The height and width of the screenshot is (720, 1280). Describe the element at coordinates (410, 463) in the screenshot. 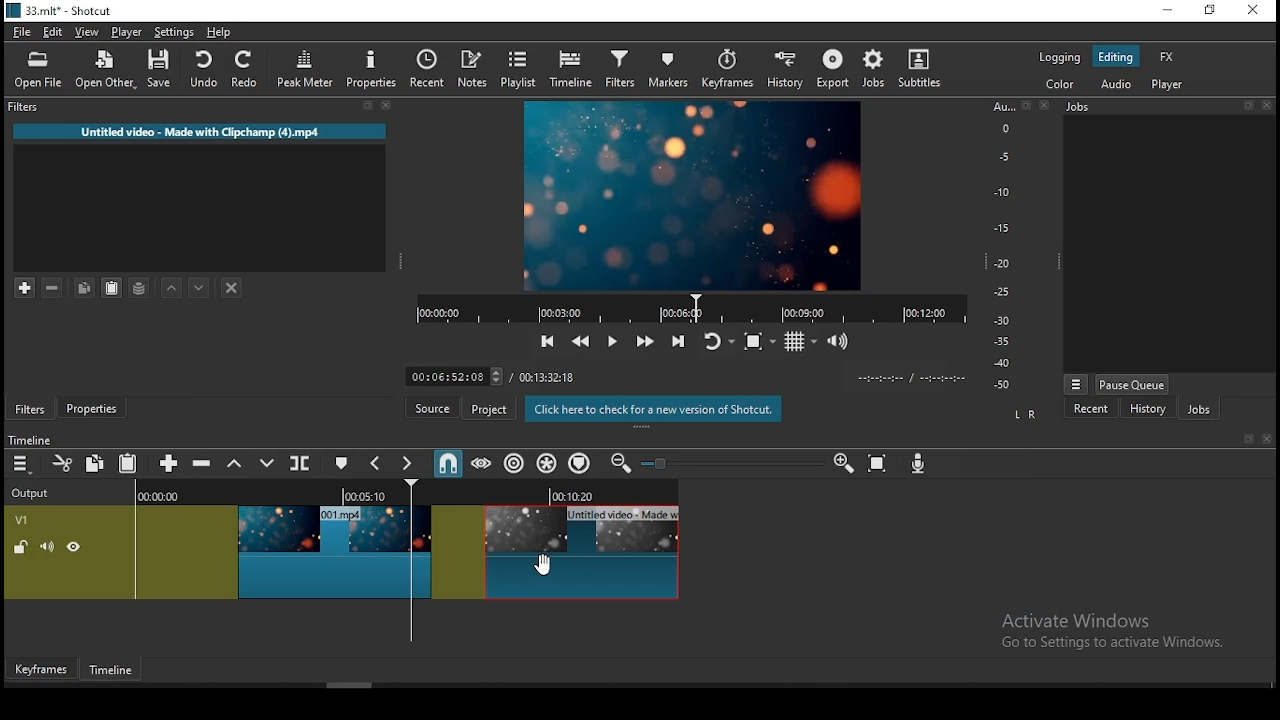

I see `next marker` at that location.